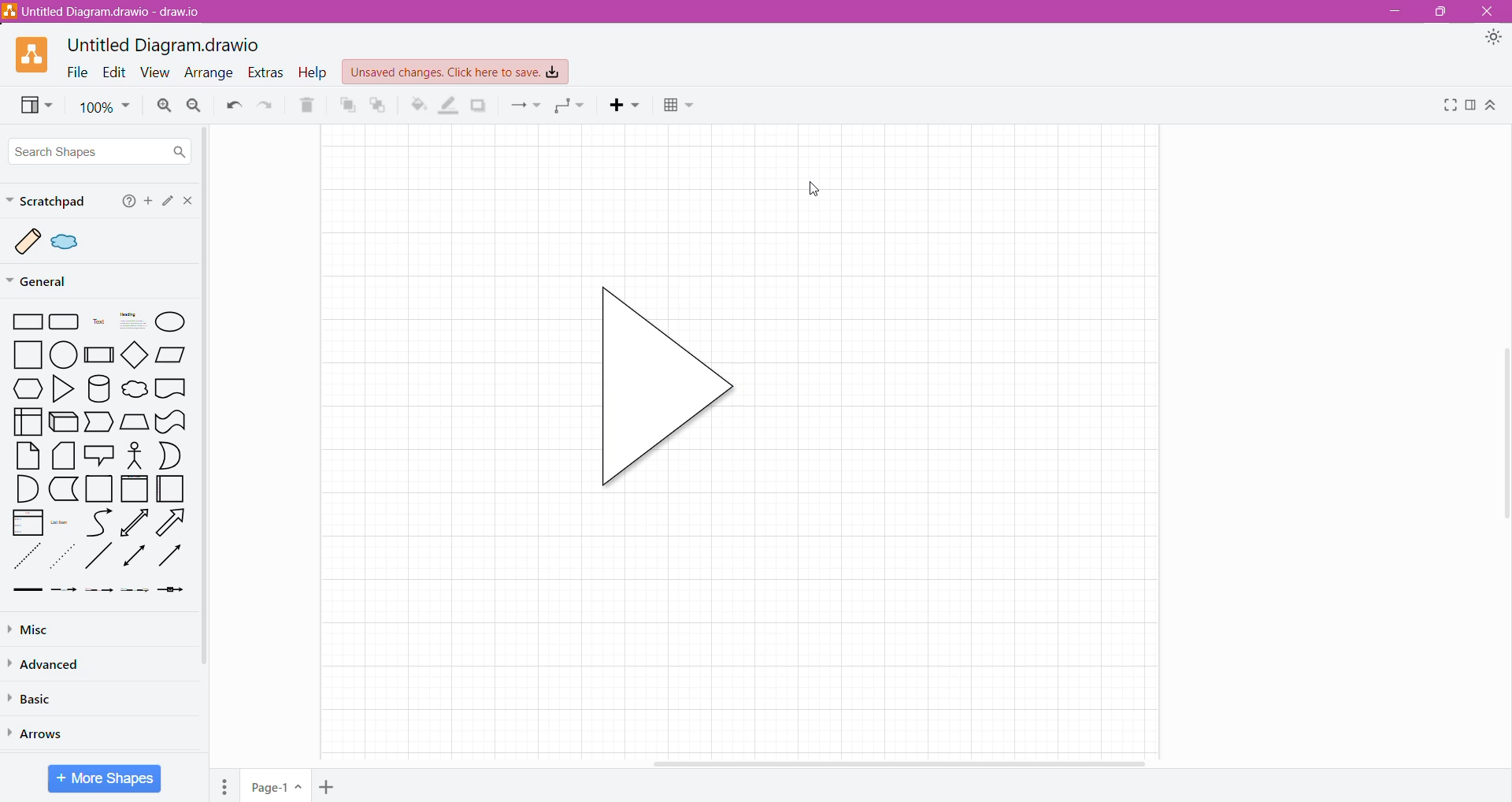  I want to click on Pages, so click(224, 785).